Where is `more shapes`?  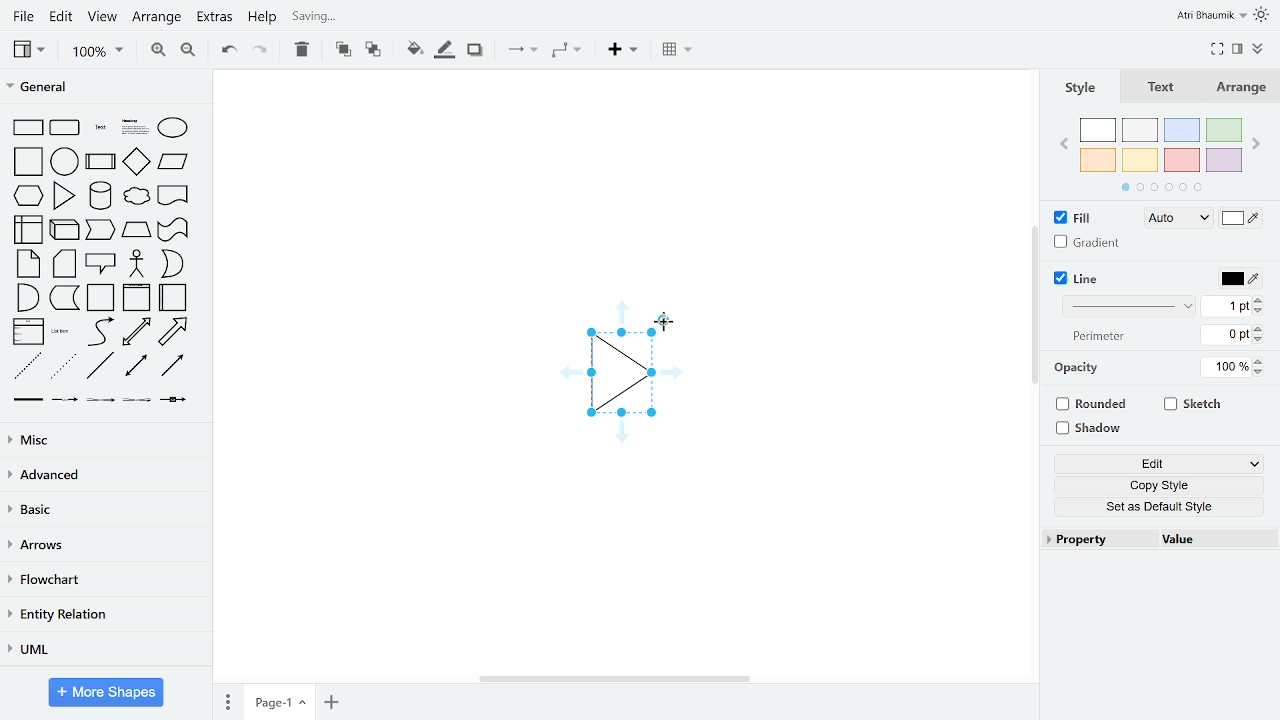 more shapes is located at coordinates (107, 692).